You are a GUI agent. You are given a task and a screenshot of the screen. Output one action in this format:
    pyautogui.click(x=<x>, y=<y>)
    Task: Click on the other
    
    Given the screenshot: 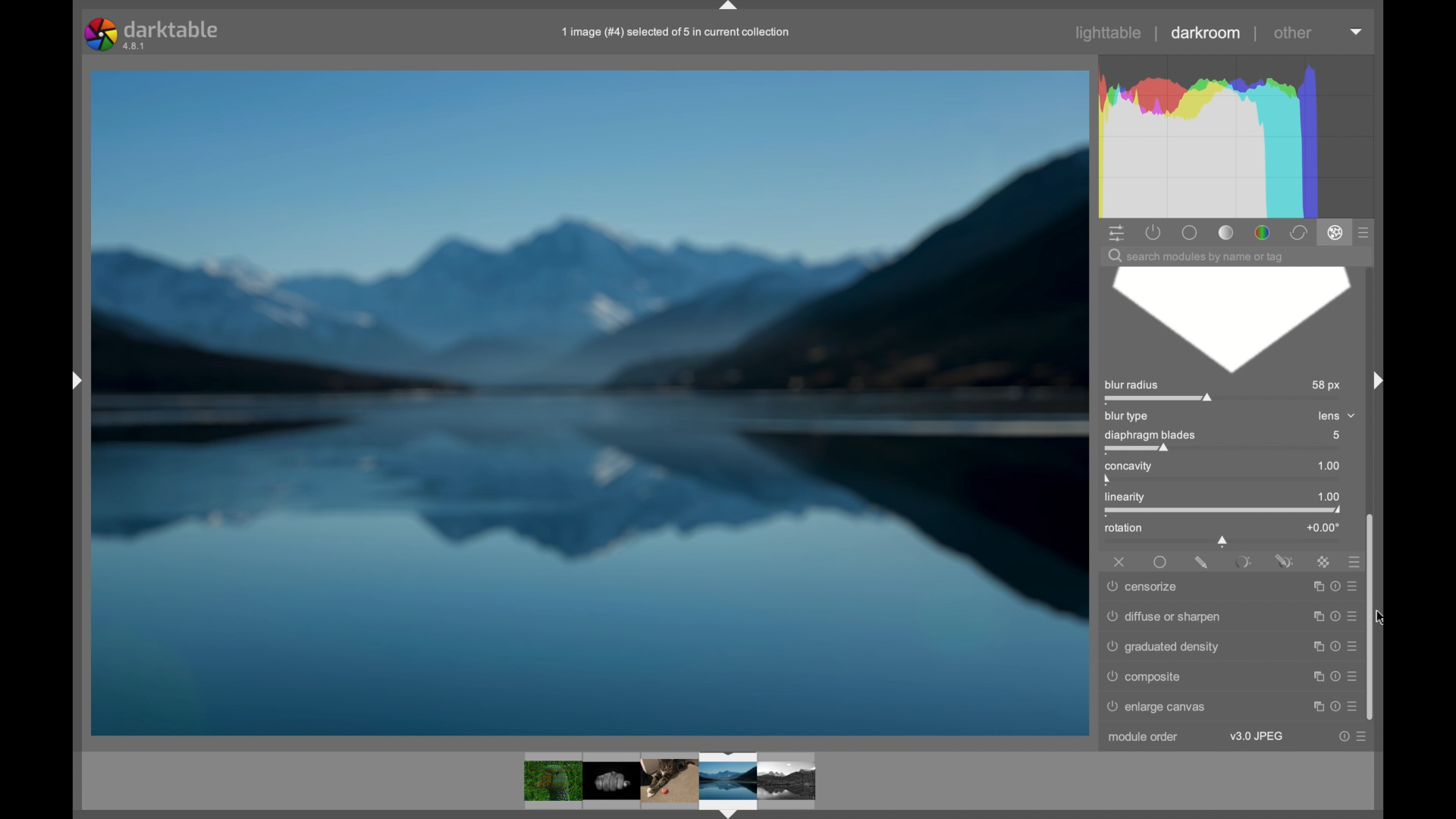 What is the action you would take?
    pyautogui.click(x=1293, y=33)
    